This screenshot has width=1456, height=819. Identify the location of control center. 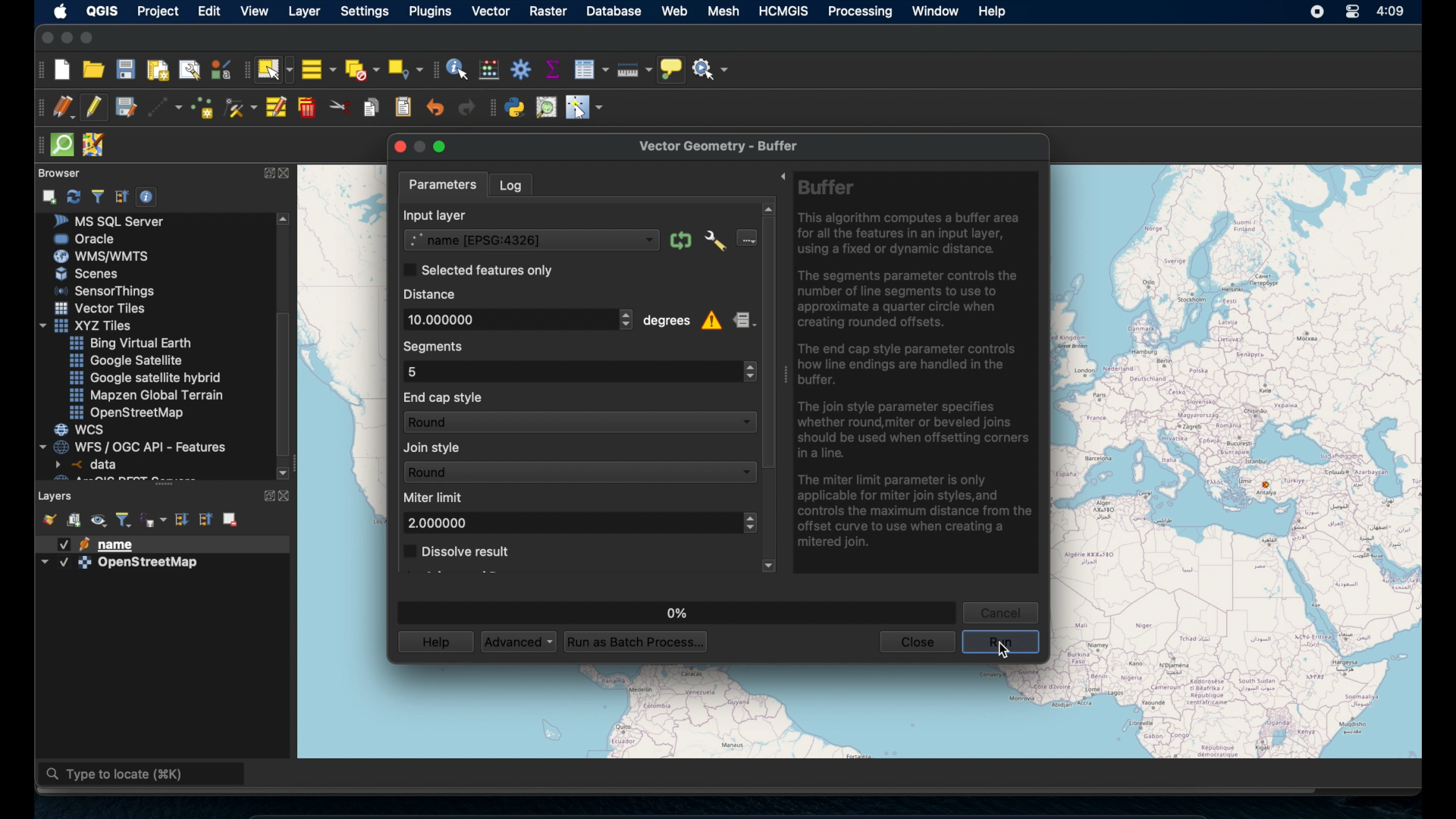
(1349, 11).